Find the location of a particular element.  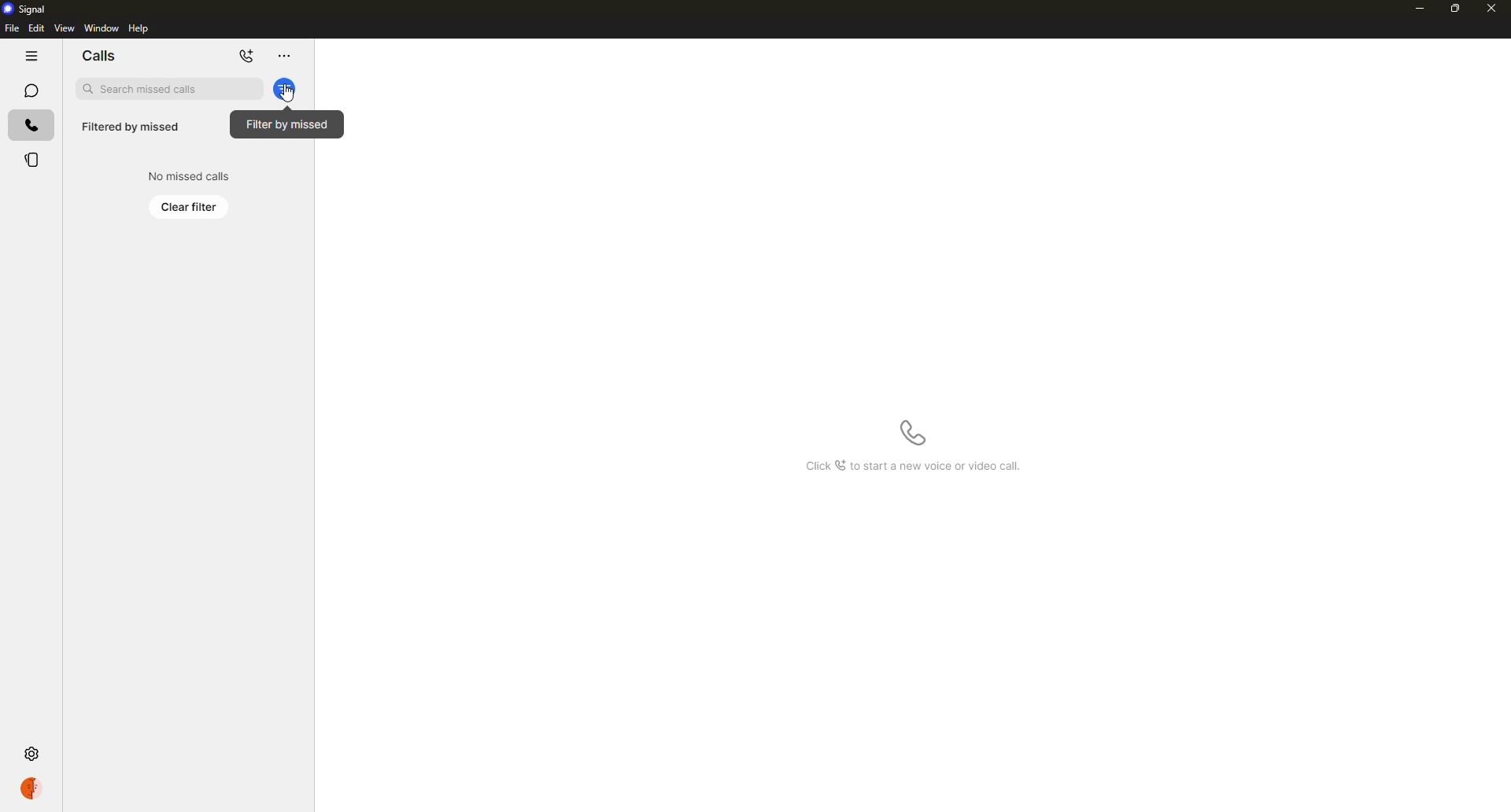

view is located at coordinates (64, 28).